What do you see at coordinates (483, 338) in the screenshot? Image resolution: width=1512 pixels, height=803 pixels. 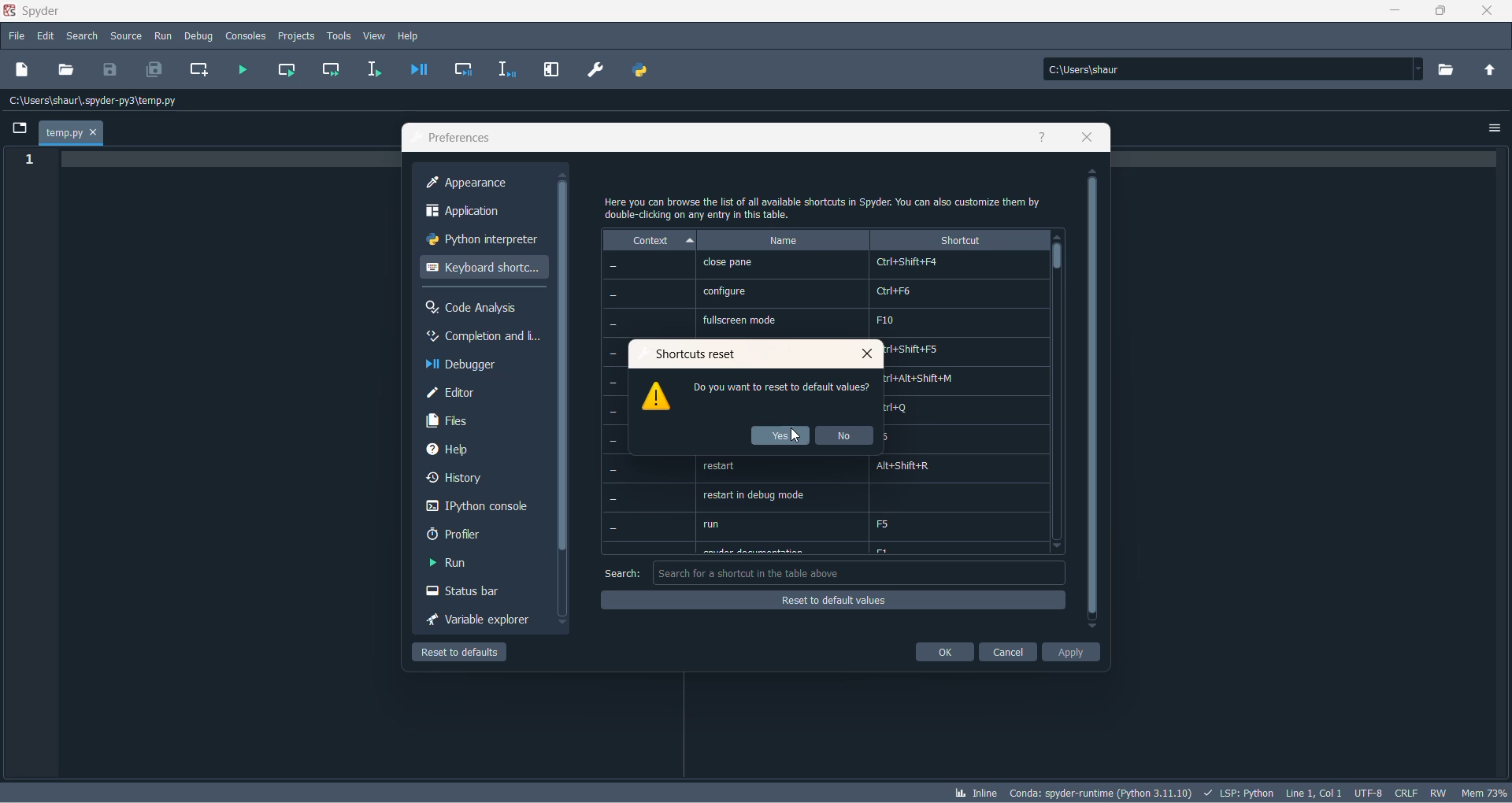 I see `completion` at bounding box center [483, 338].